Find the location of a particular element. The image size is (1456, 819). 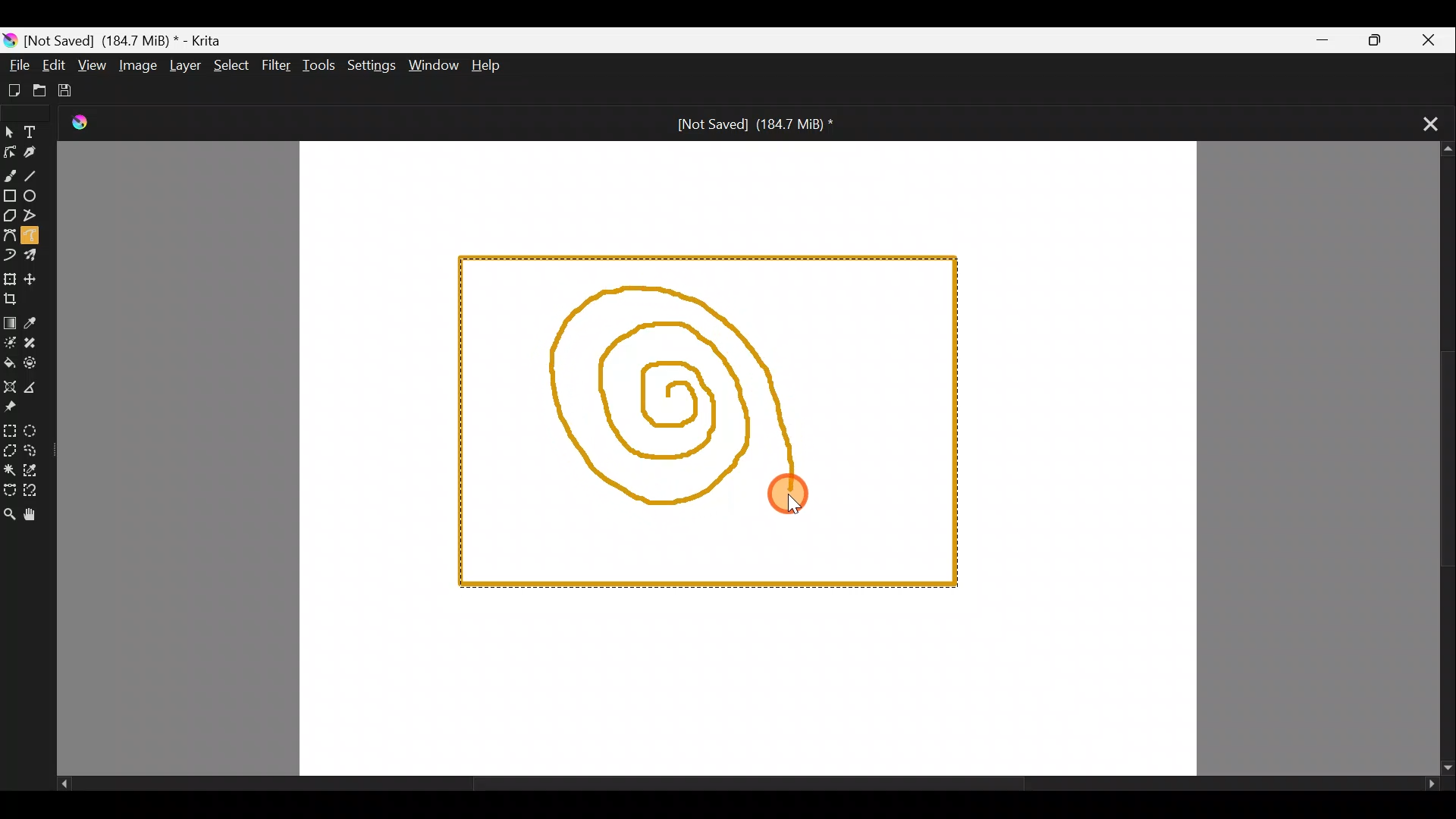

Move a layer is located at coordinates (33, 281).